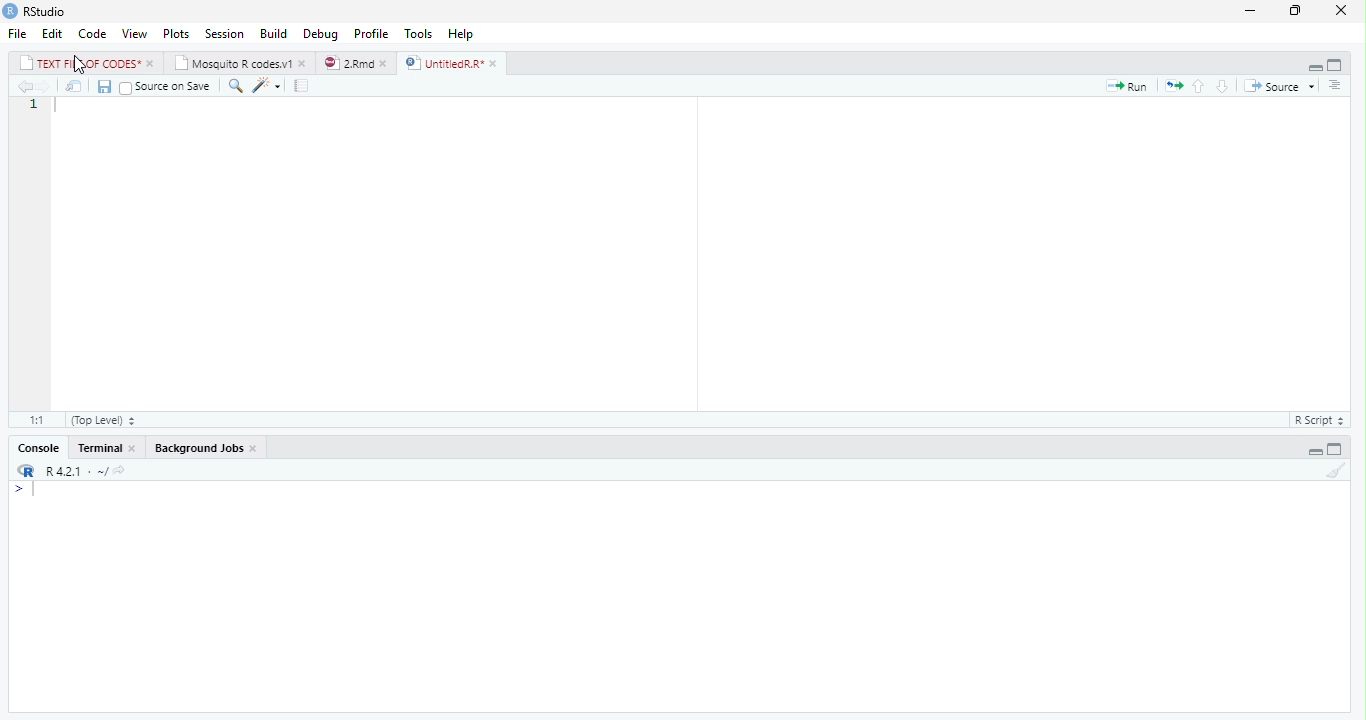  Describe the element at coordinates (45, 87) in the screenshot. I see `Go to next location` at that location.